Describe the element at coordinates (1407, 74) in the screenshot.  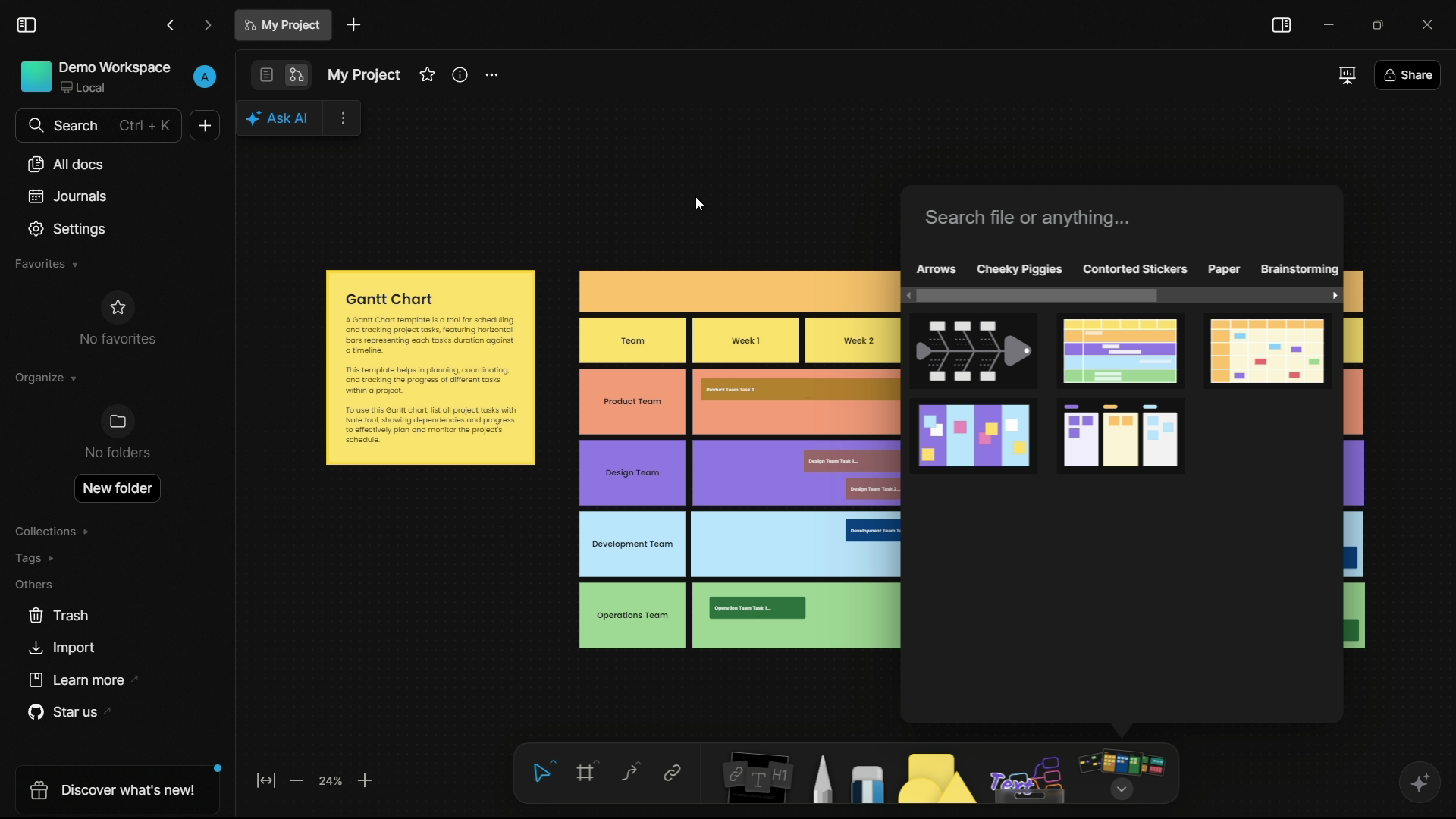
I see `share` at that location.